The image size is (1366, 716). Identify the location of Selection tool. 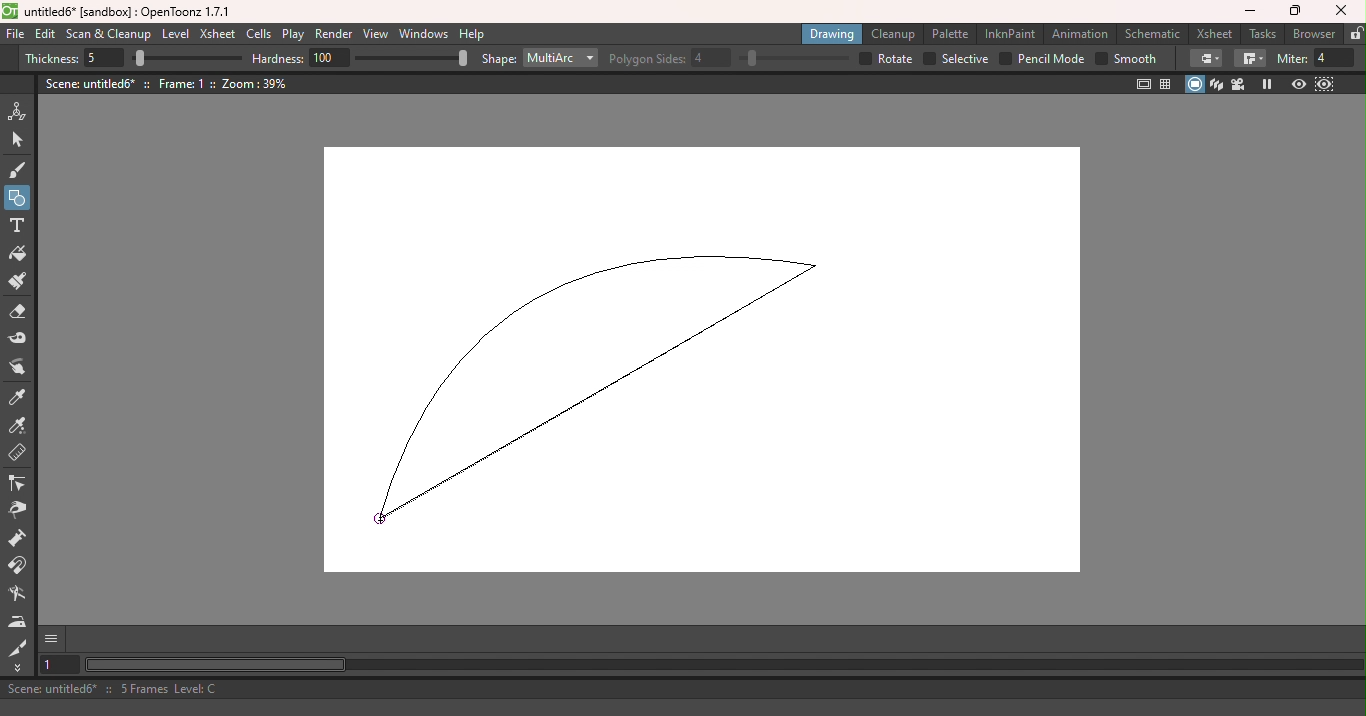
(23, 141).